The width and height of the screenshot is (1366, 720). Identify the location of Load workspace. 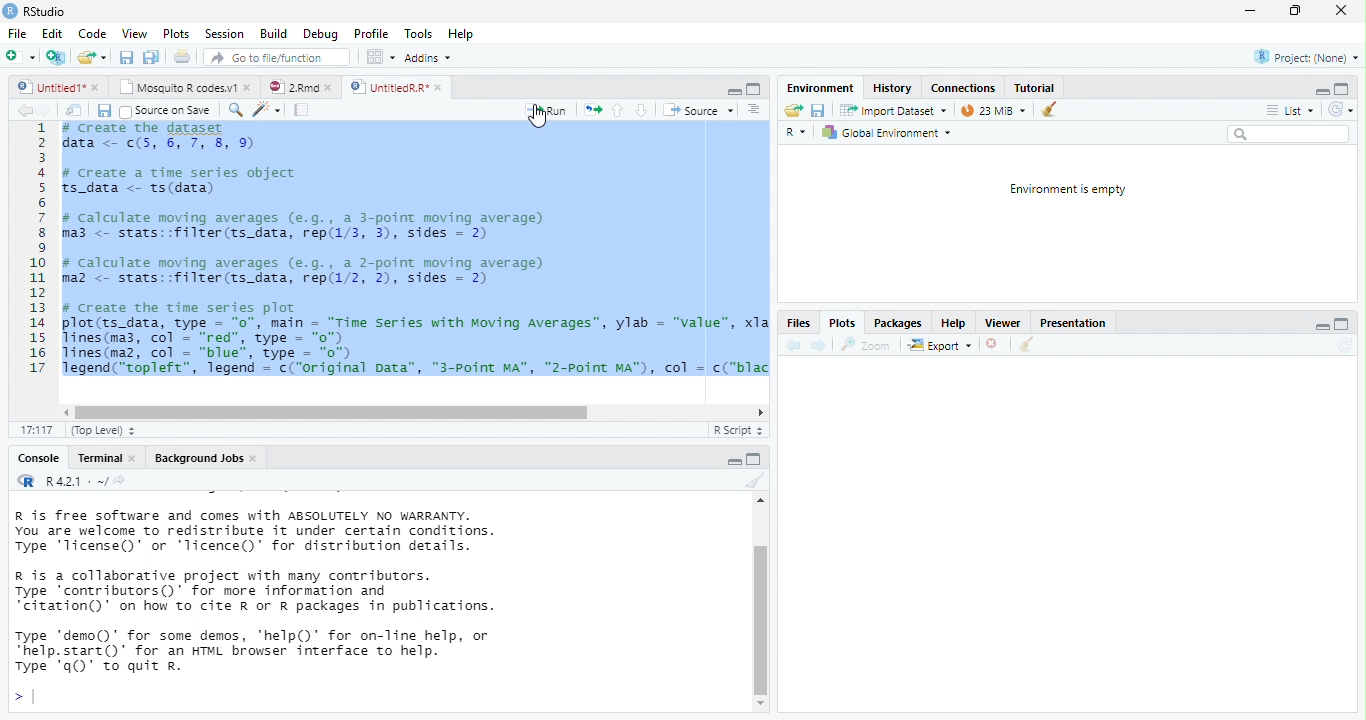
(793, 111).